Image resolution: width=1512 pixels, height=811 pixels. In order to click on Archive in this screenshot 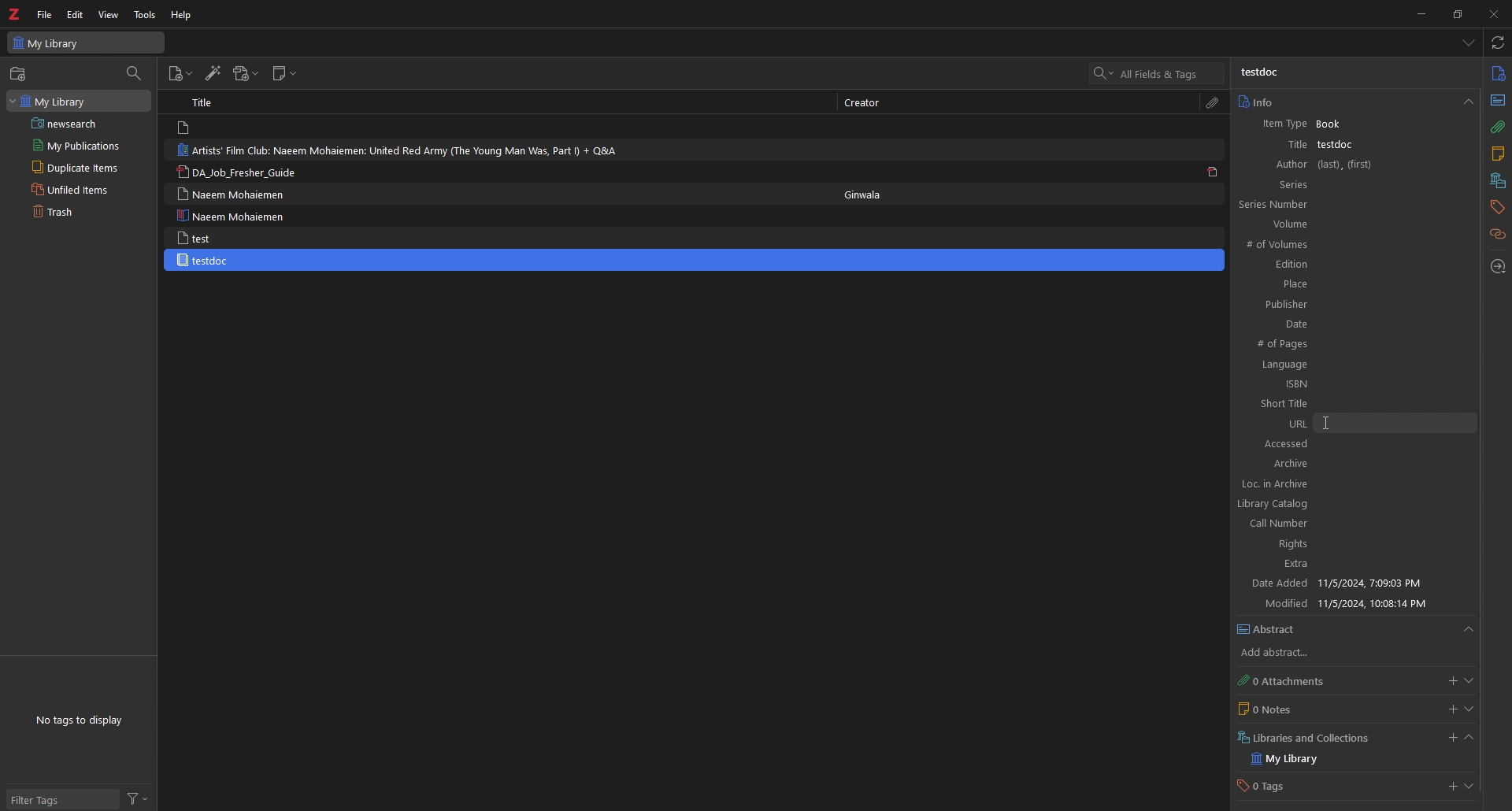, I will do `click(1269, 465)`.